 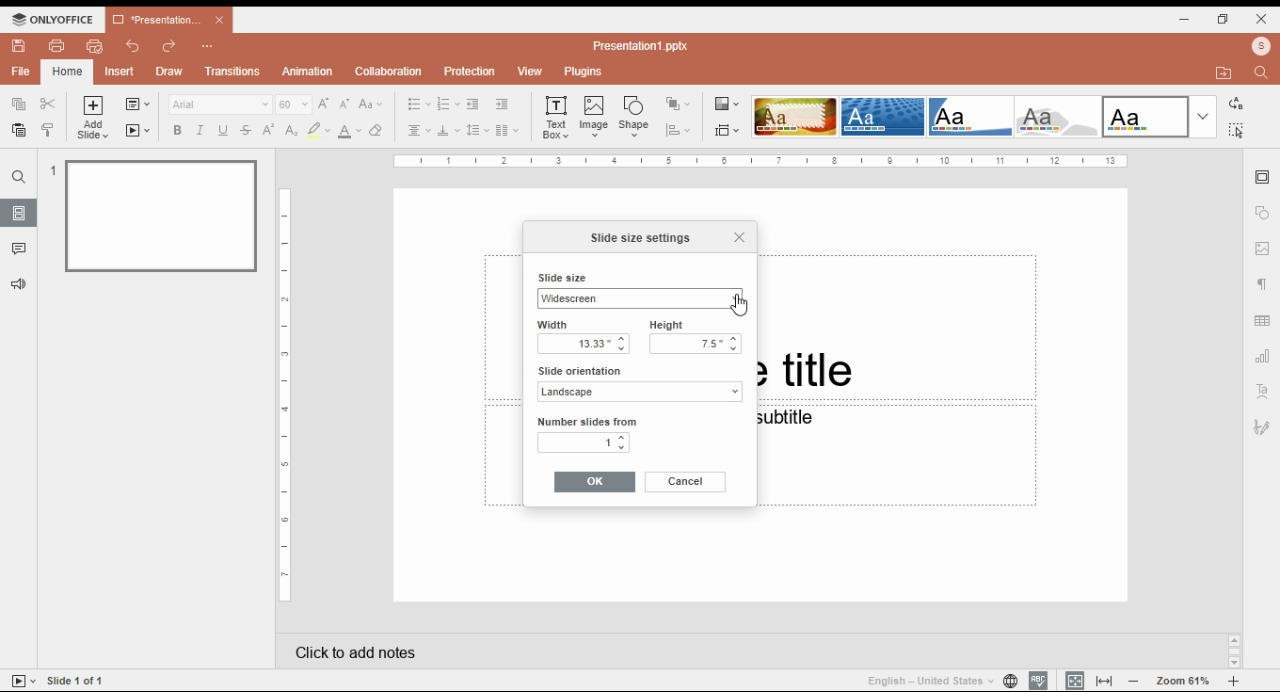 I want to click on ok, so click(x=595, y=482).